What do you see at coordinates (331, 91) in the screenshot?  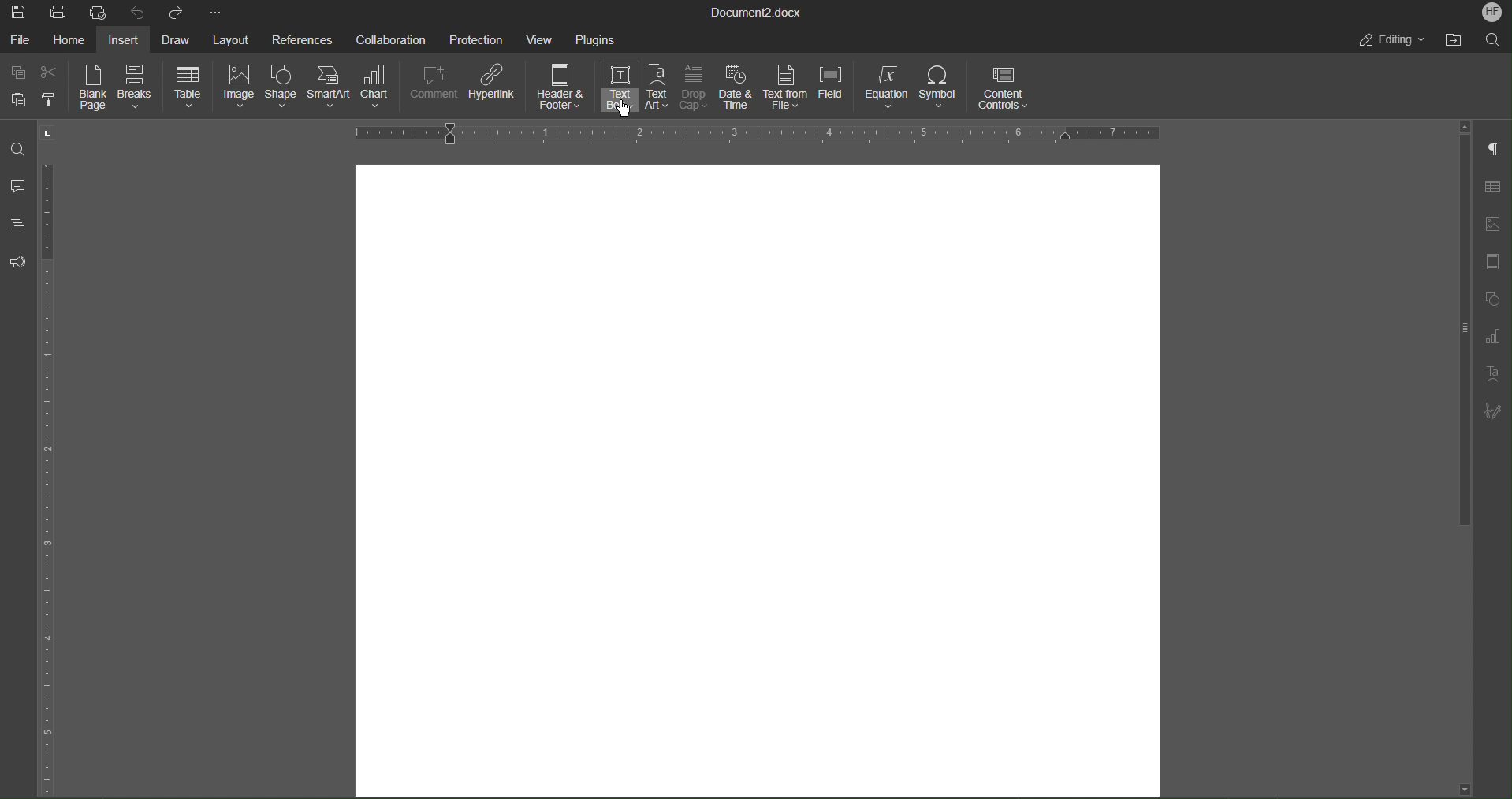 I see `SmartArt` at bounding box center [331, 91].